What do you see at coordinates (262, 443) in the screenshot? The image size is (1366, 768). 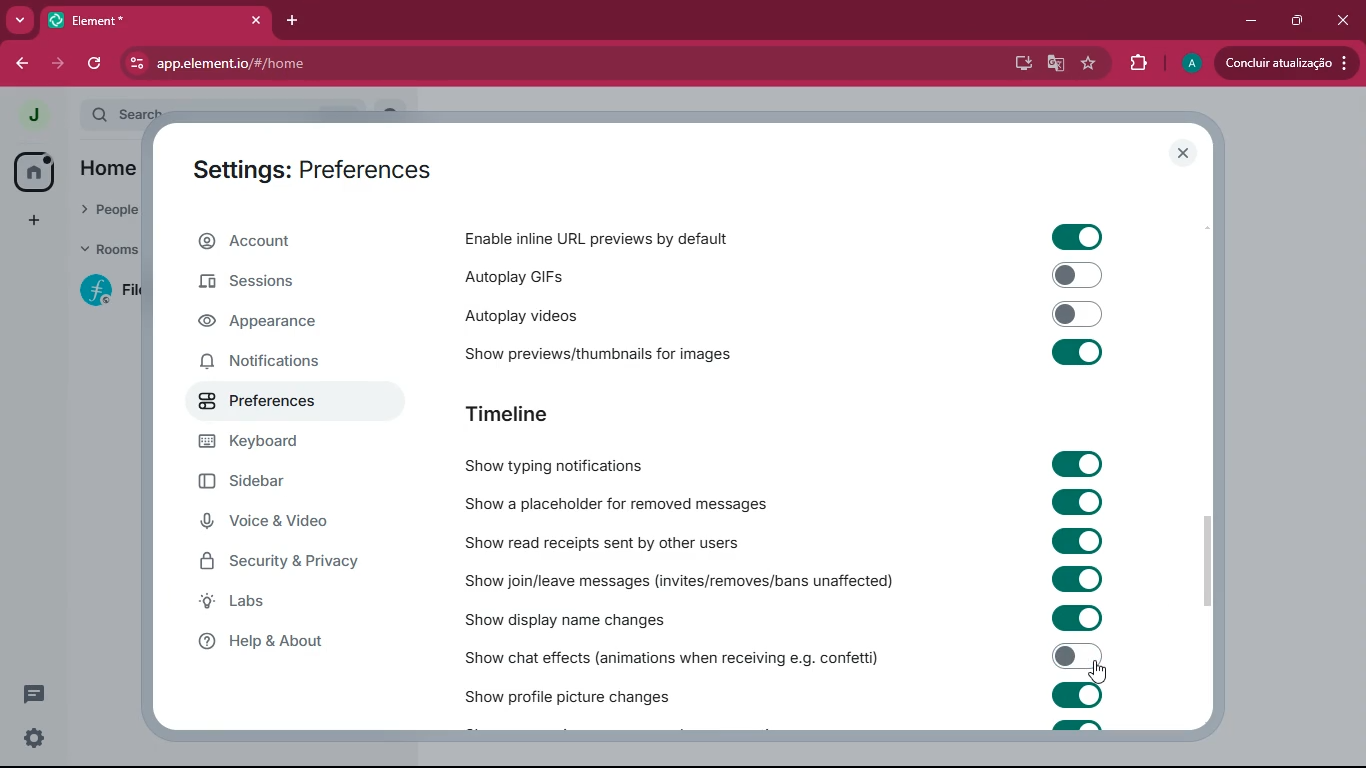 I see `keyboard` at bounding box center [262, 443].